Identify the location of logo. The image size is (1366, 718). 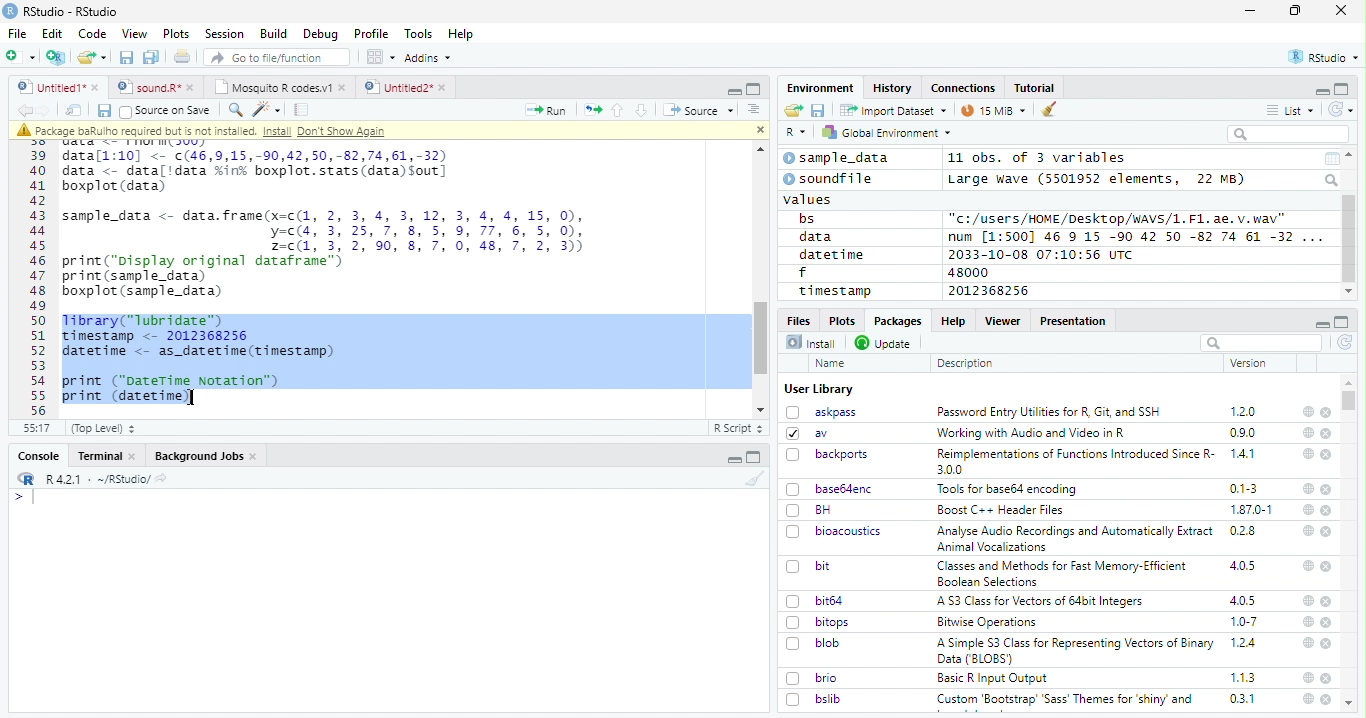
(10, 11).